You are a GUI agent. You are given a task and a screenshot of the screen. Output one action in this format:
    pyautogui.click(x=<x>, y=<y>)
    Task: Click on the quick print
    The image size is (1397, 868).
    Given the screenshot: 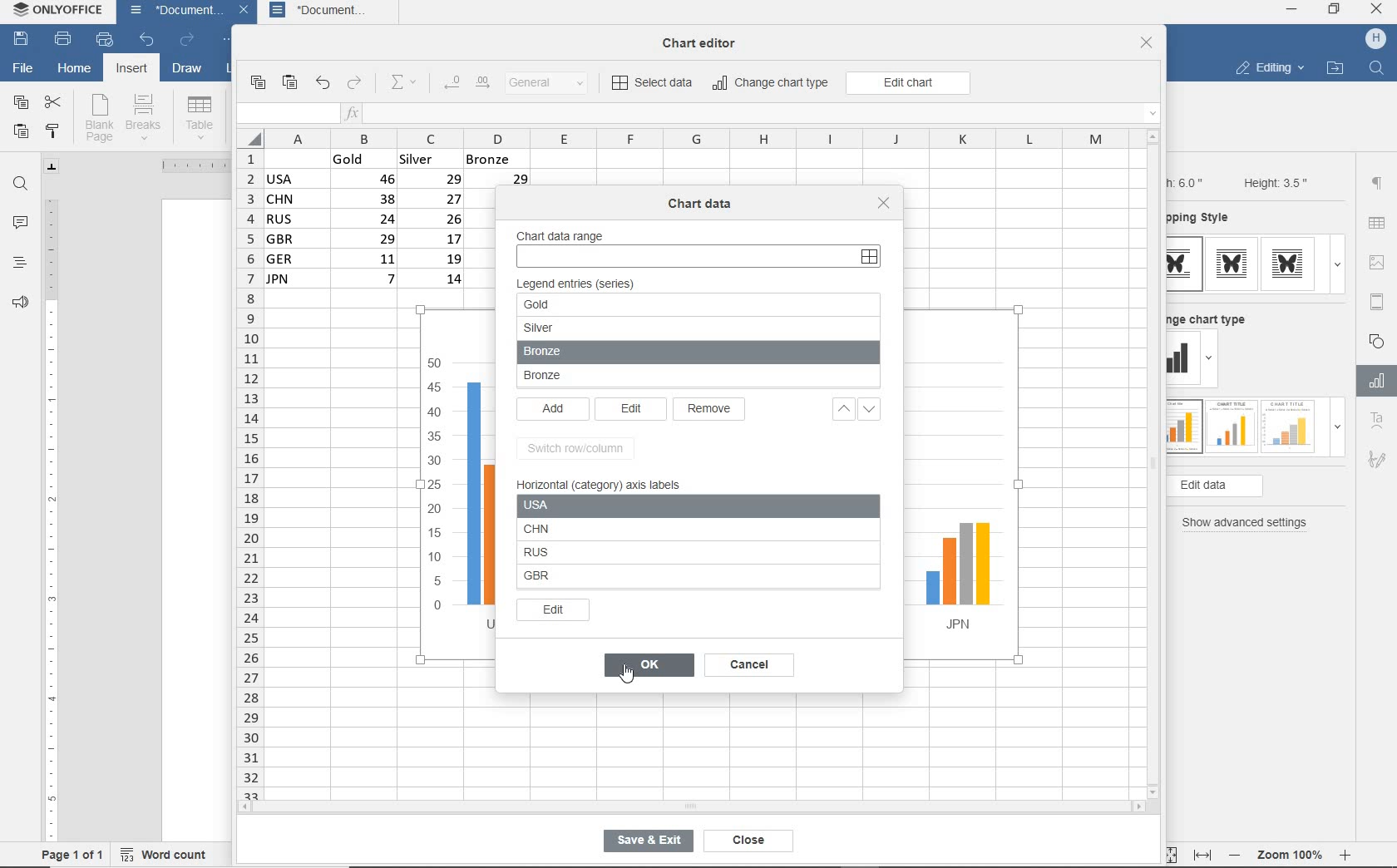 What is the action you would take?
    pyautogui.click(x=103, y=40)
    